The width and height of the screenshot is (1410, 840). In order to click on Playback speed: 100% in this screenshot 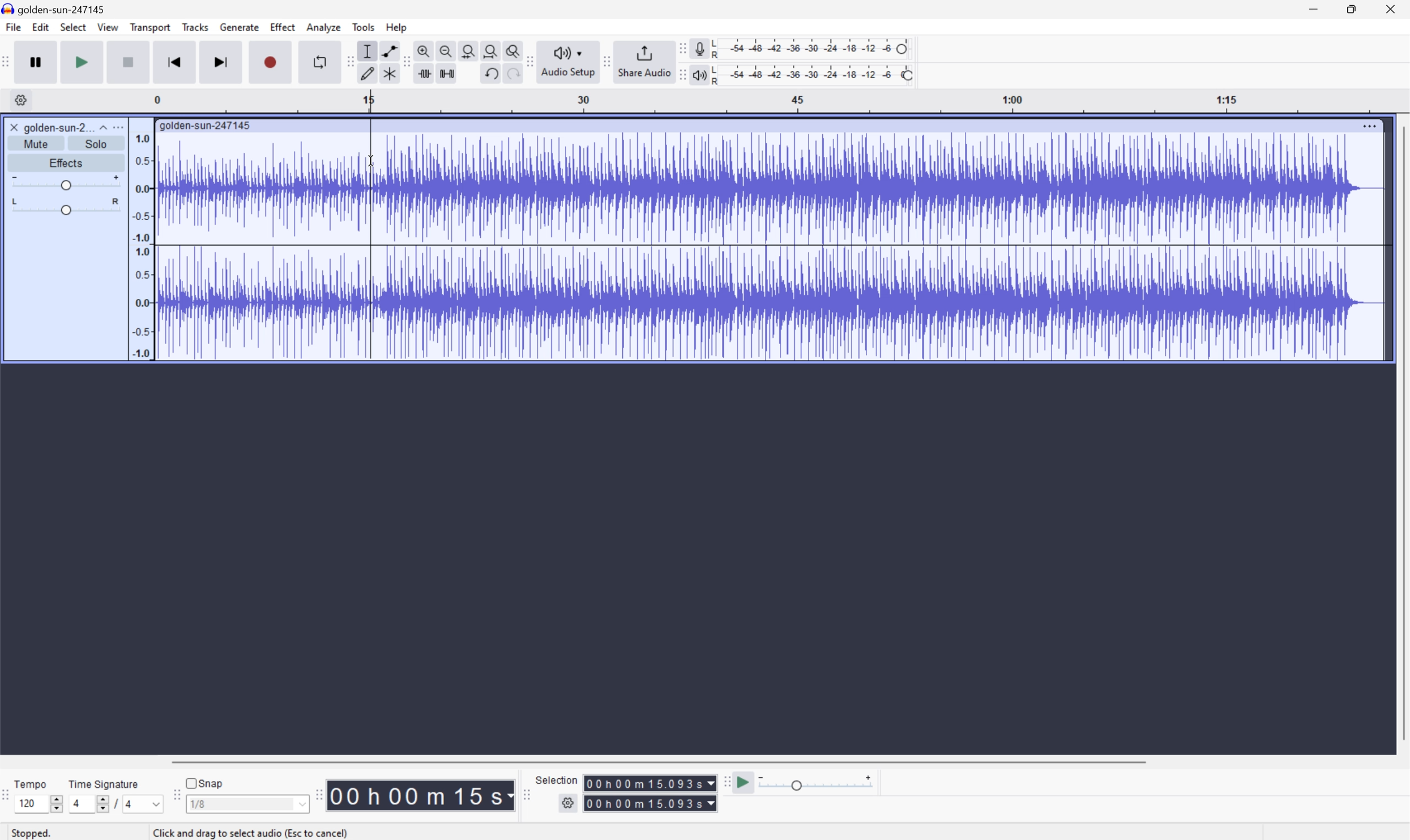, I will do `click(814, 73)`.